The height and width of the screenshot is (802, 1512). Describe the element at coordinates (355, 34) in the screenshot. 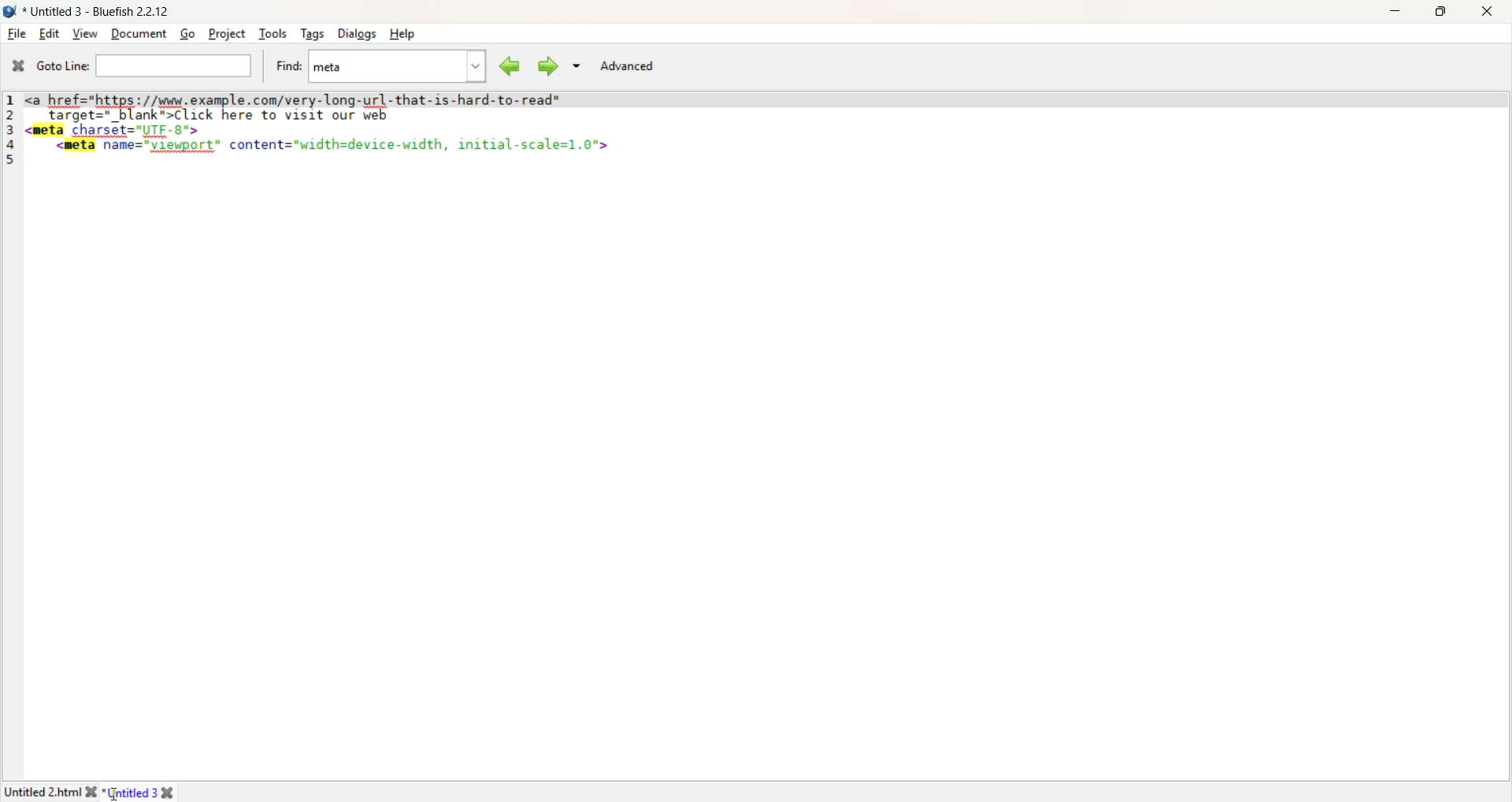

I see `Dialogs` at that location.